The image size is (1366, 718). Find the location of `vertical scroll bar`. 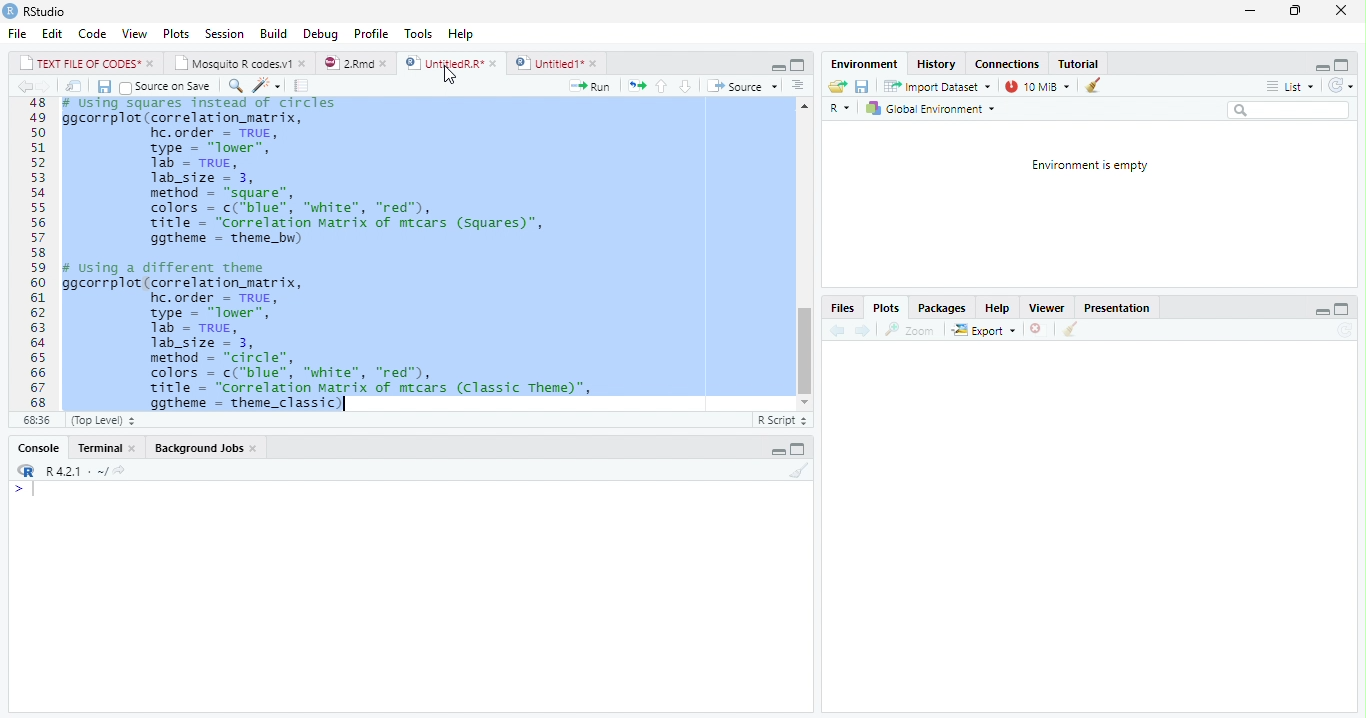

vertical scroll bar is located at coordinates (803, 258).